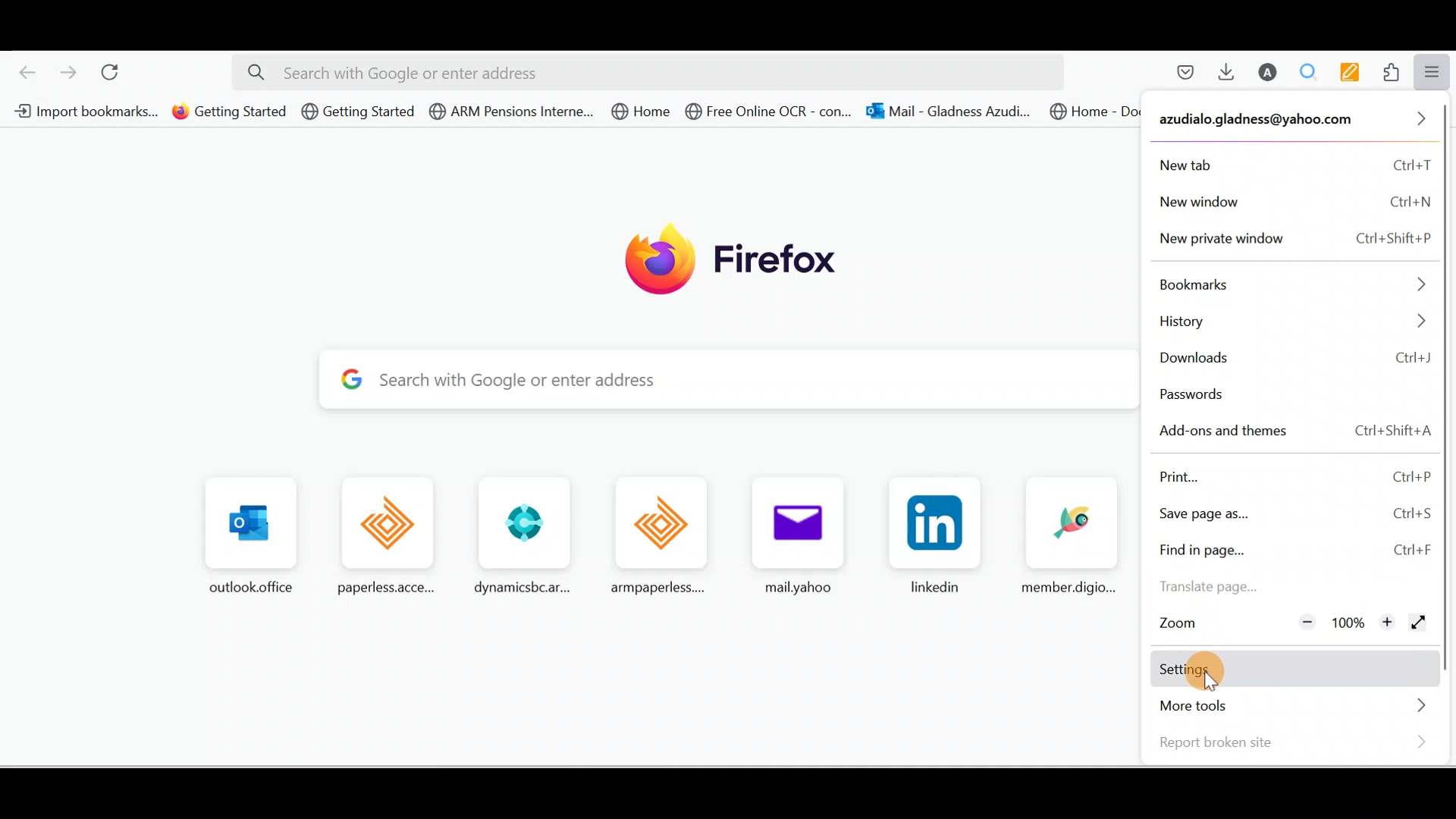  I want to click on Translate page, so click(1300, 588).